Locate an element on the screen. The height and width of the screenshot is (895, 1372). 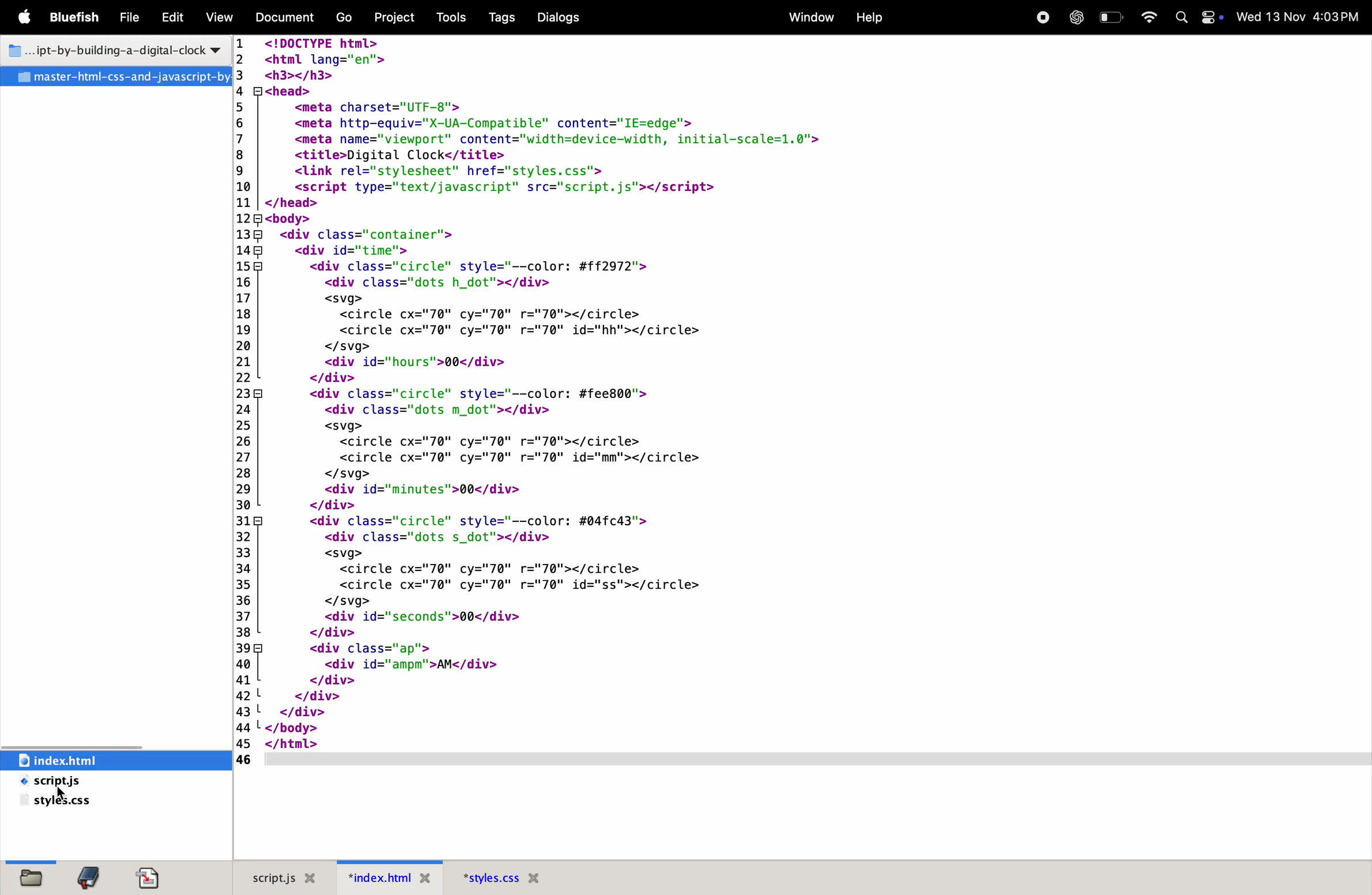
bookmark is located at coordinates (91, 874).